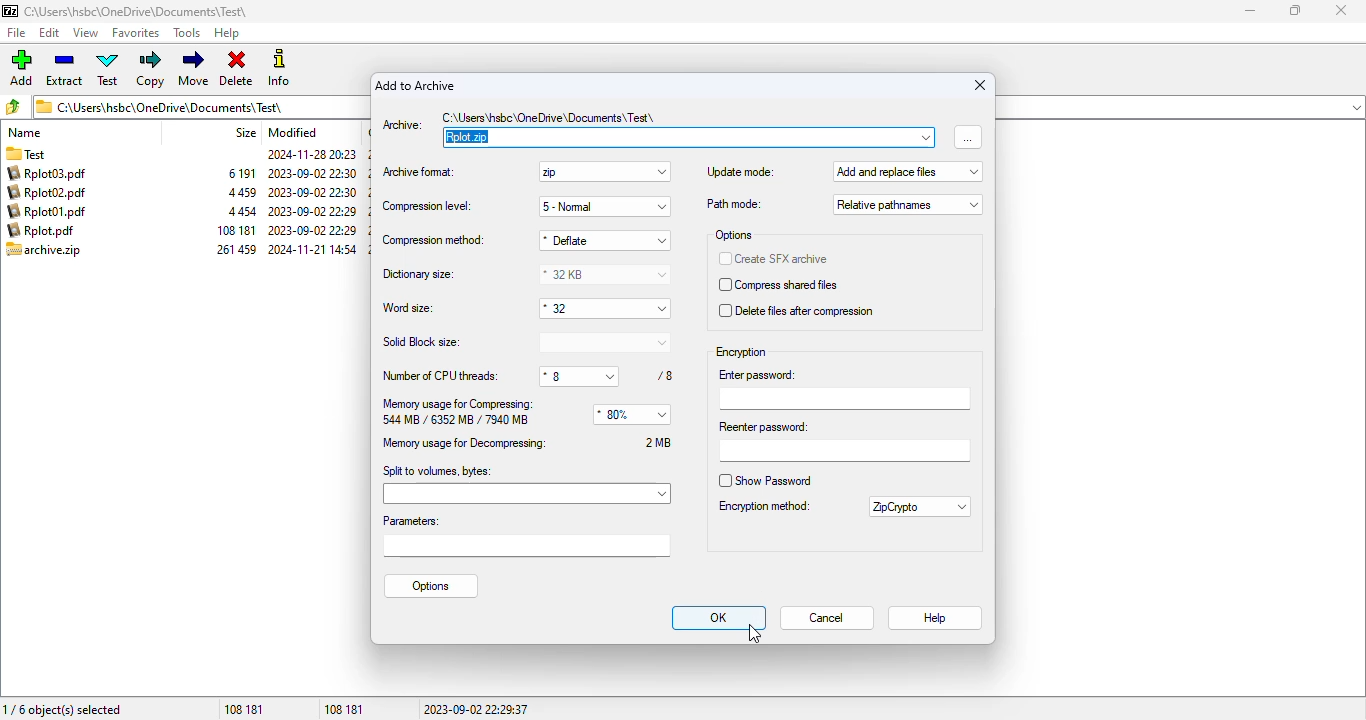 The image size is (1366, 720). I want to click on add, so click(21, 67).